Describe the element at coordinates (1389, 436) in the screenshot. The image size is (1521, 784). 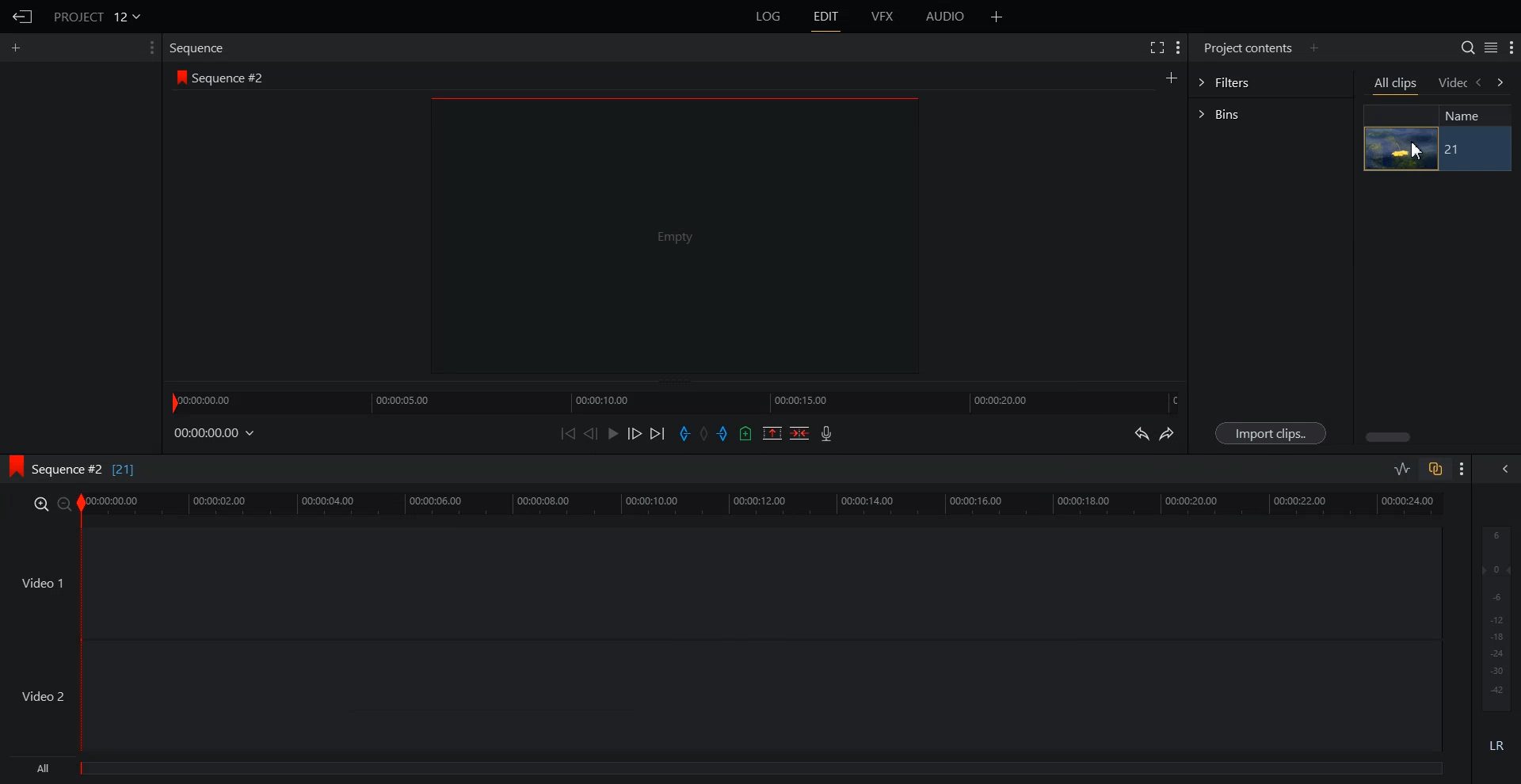
I see `scroll bar` at that location.